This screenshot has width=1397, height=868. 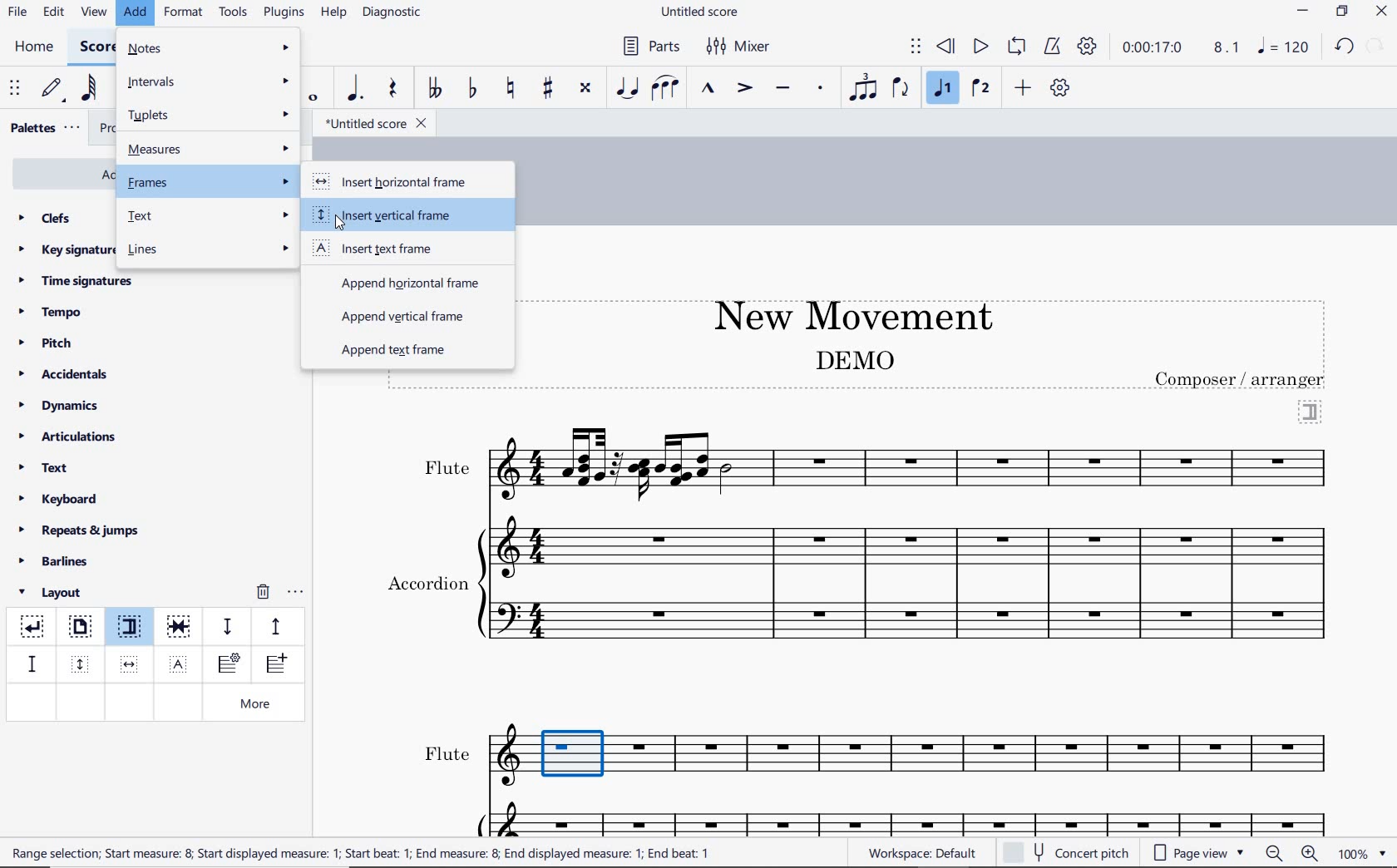 What do you see at coordinates (209, 250) in the screenshot?
I see `lines` at bounding box center [209, 250].